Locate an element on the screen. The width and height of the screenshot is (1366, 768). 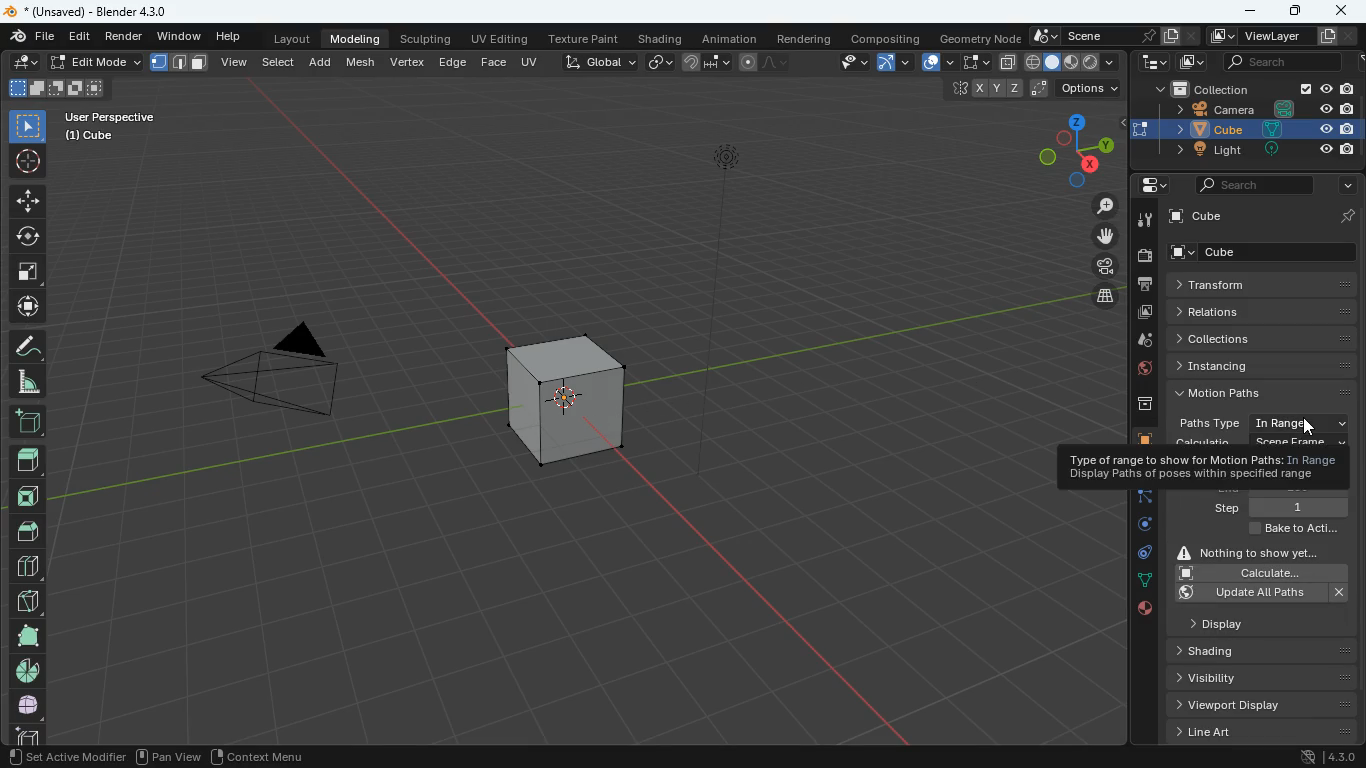
uv editing is located at coordinates (503, 40).